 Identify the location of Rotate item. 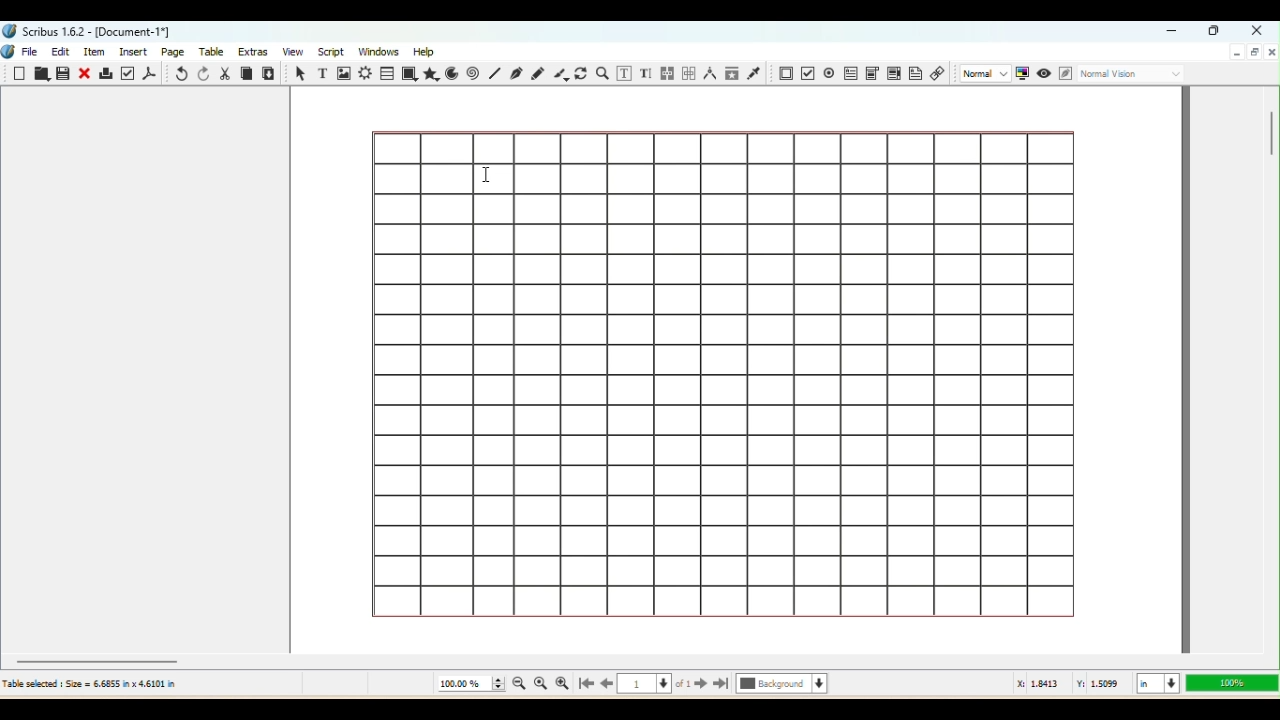
(581, 74).